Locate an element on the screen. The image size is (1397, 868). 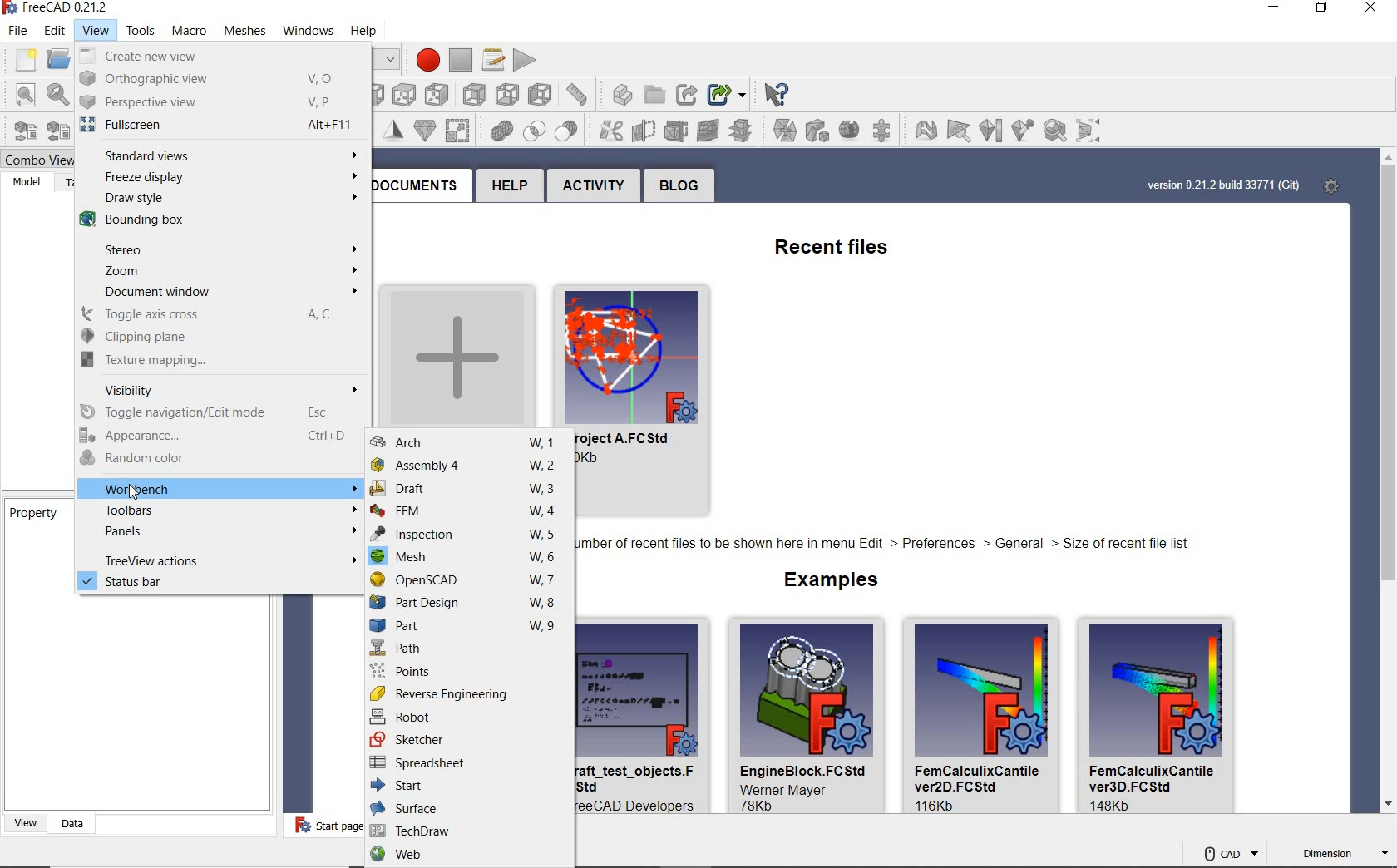
create mesh segments from best-fit surfaces is located at coordinates (847, 131).